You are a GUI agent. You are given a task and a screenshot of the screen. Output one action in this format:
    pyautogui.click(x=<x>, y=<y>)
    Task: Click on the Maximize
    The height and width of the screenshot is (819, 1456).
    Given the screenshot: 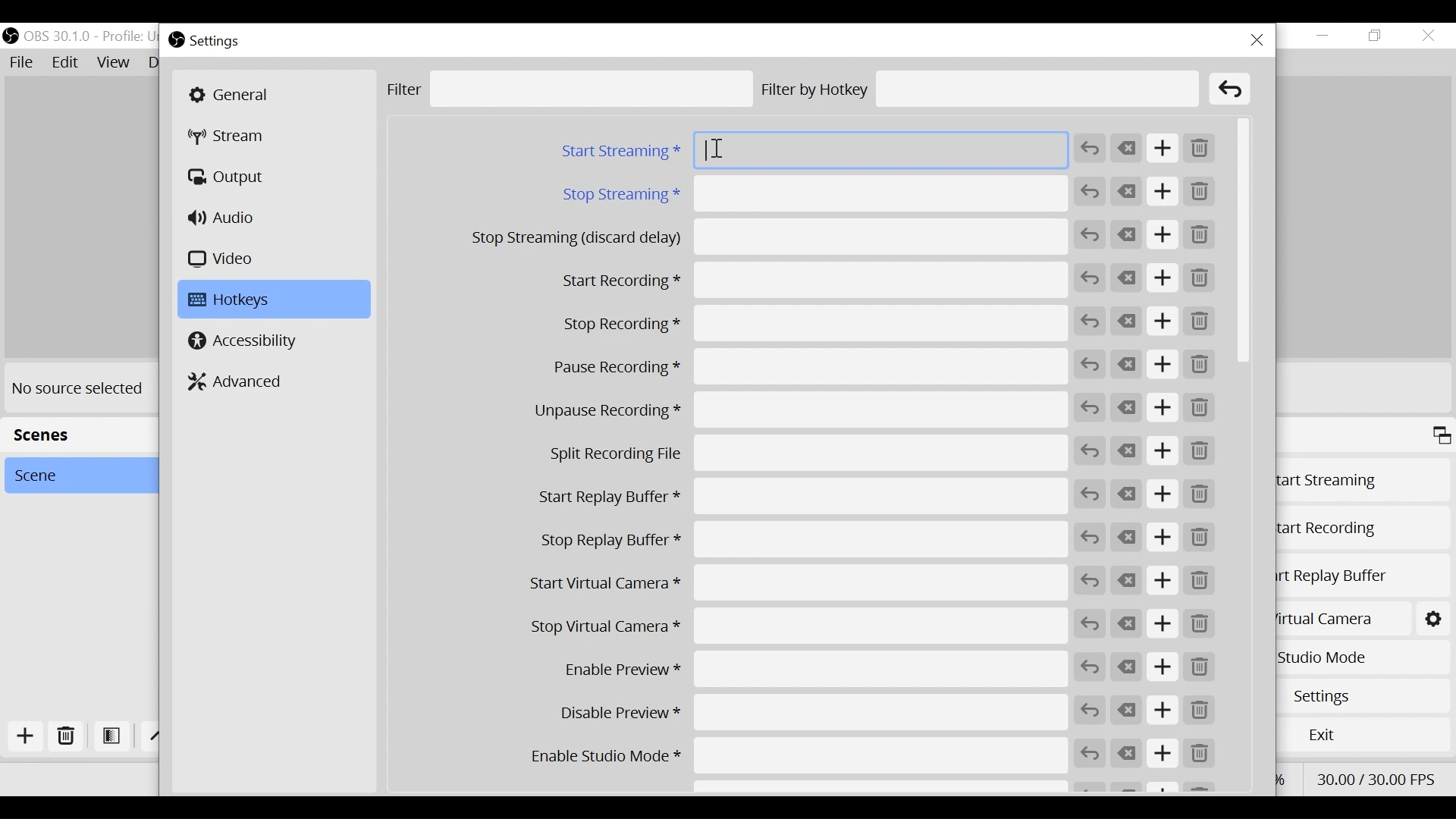 What is the action you would take?
    pyautogui.click(x=1441, y=437)
    